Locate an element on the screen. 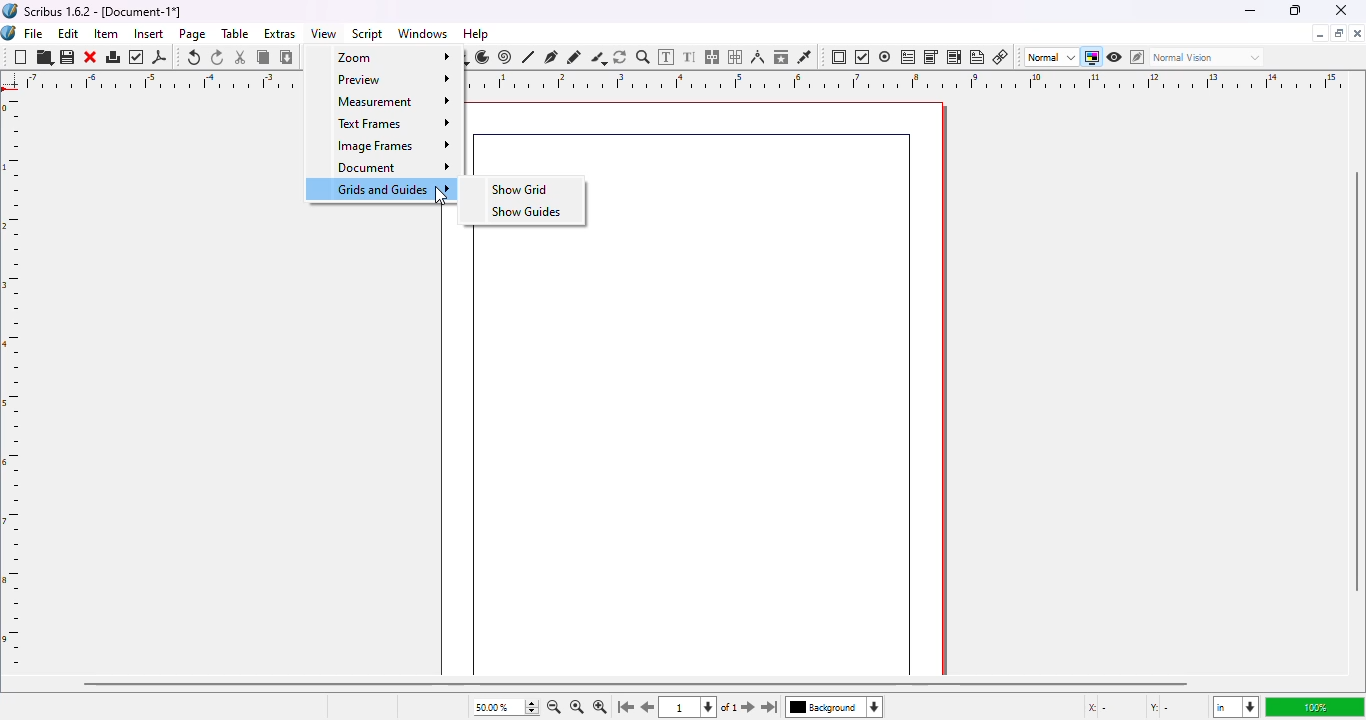 The height and width of the screenshot is (720, 1366). new is located at coordinates (20, 58).